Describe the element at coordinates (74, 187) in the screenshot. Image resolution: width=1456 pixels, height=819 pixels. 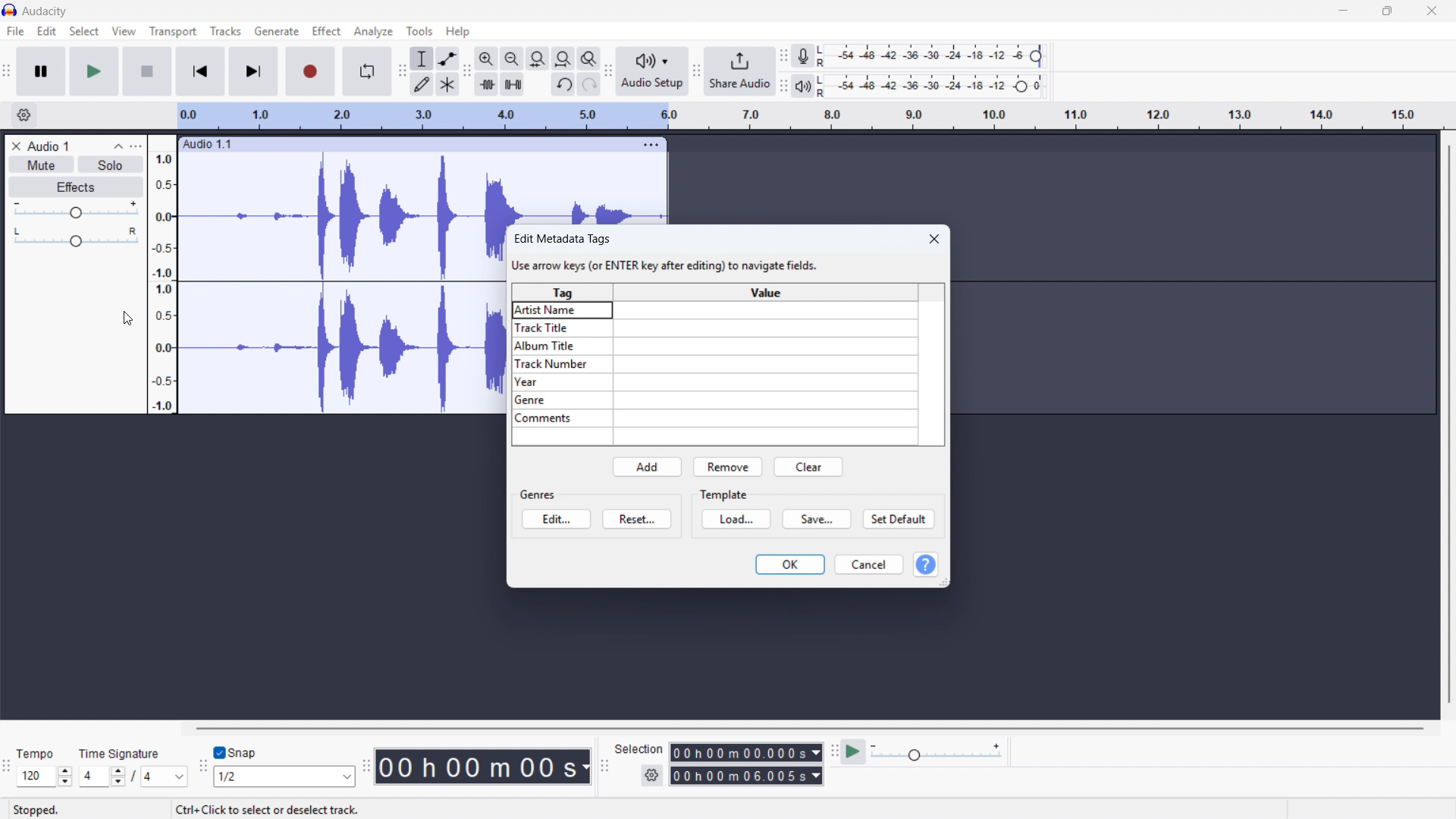
I see `effect` at that location.